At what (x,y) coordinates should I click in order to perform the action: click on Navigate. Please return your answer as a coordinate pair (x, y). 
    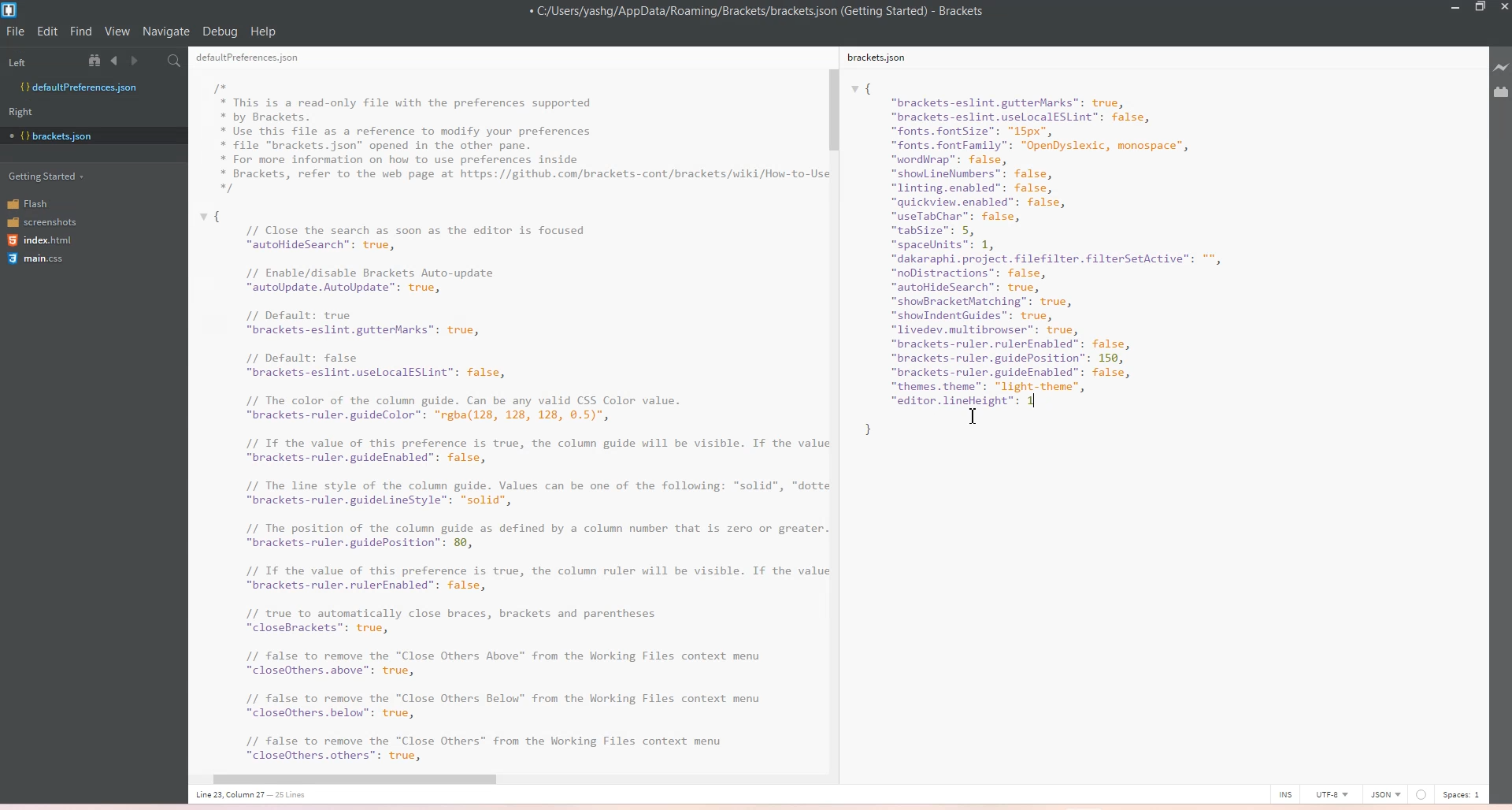
    Looking at the image, I should click on (166, 32).